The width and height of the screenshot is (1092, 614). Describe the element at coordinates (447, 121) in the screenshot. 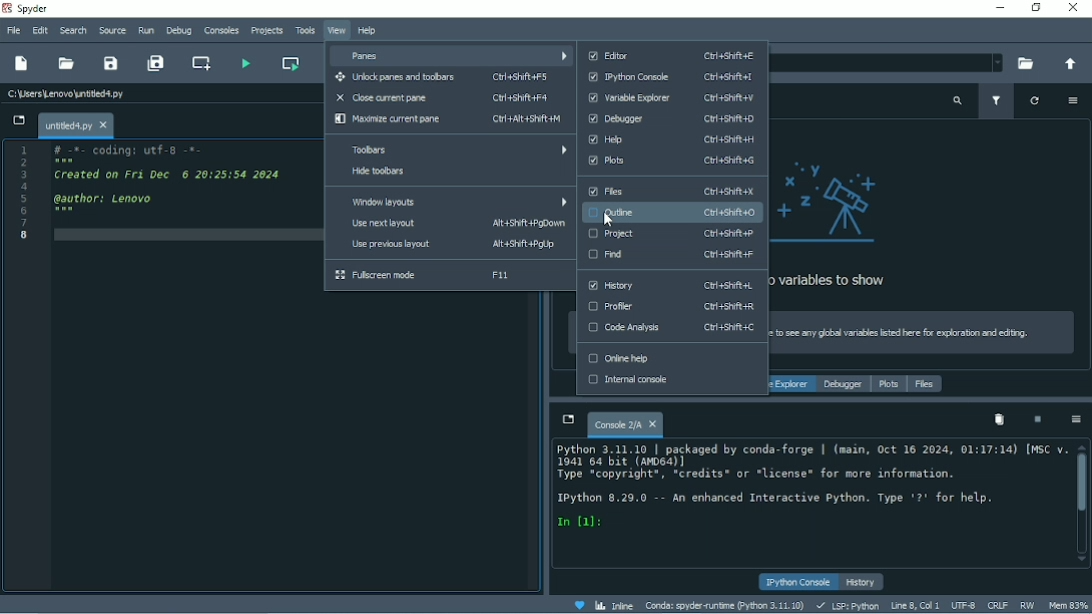

I see `Maximize current pane` at that location.